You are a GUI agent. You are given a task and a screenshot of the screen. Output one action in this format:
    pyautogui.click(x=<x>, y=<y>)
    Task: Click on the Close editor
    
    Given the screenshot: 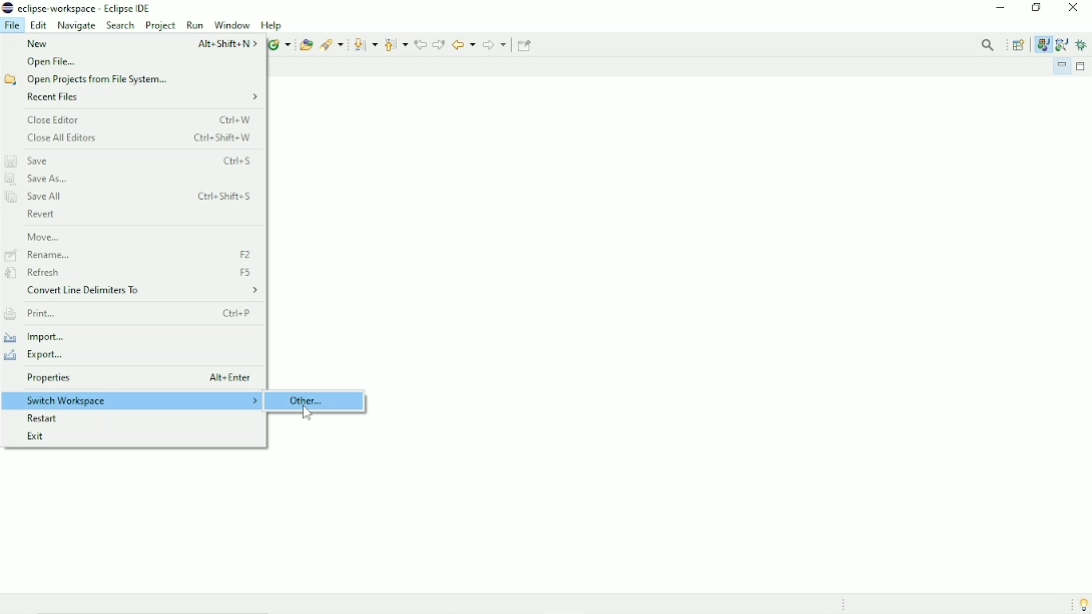 What is the action you would take?
    pyautogui.click(x=141, y=119)
    